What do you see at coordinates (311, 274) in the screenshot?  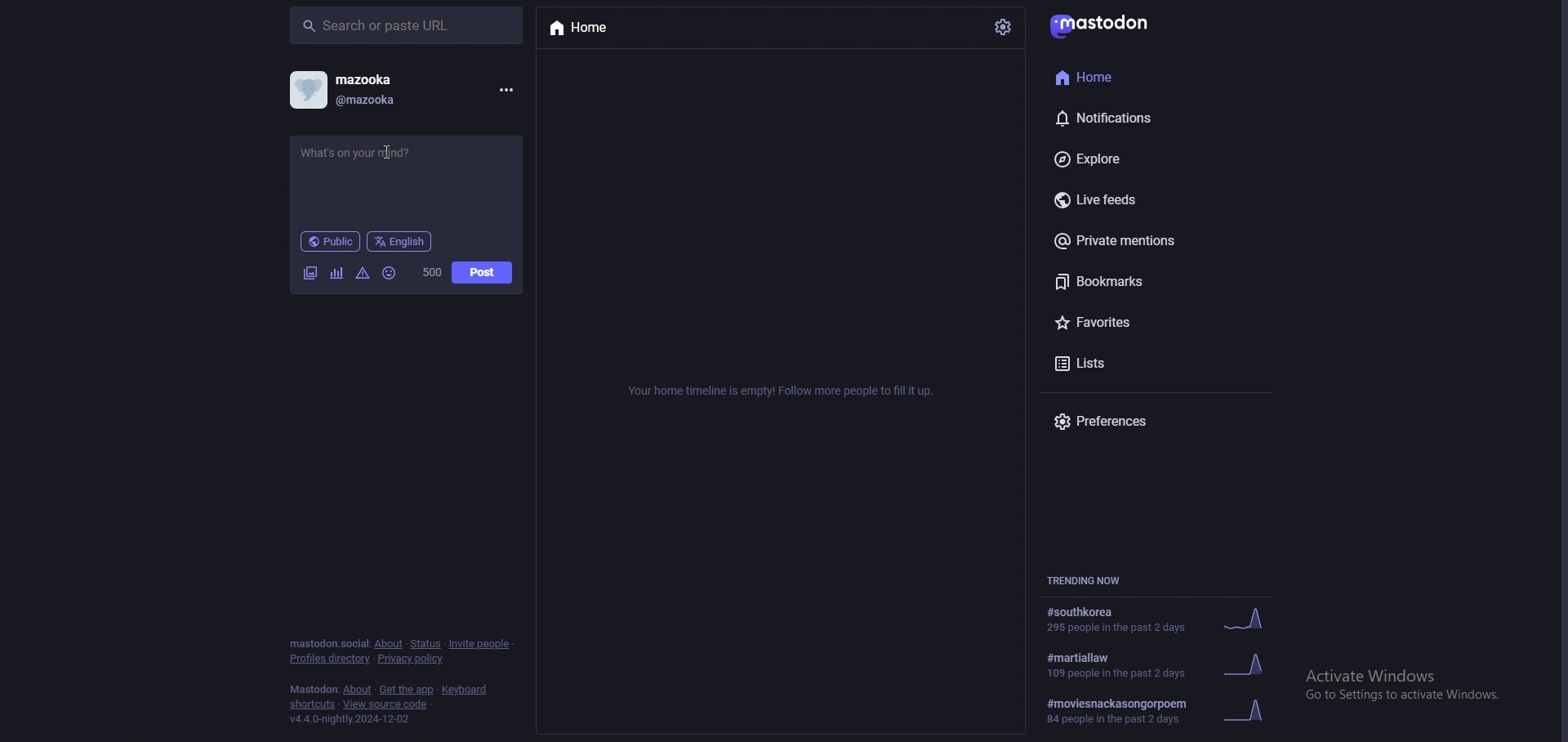 I see `images` at bounding box center [311, 274].